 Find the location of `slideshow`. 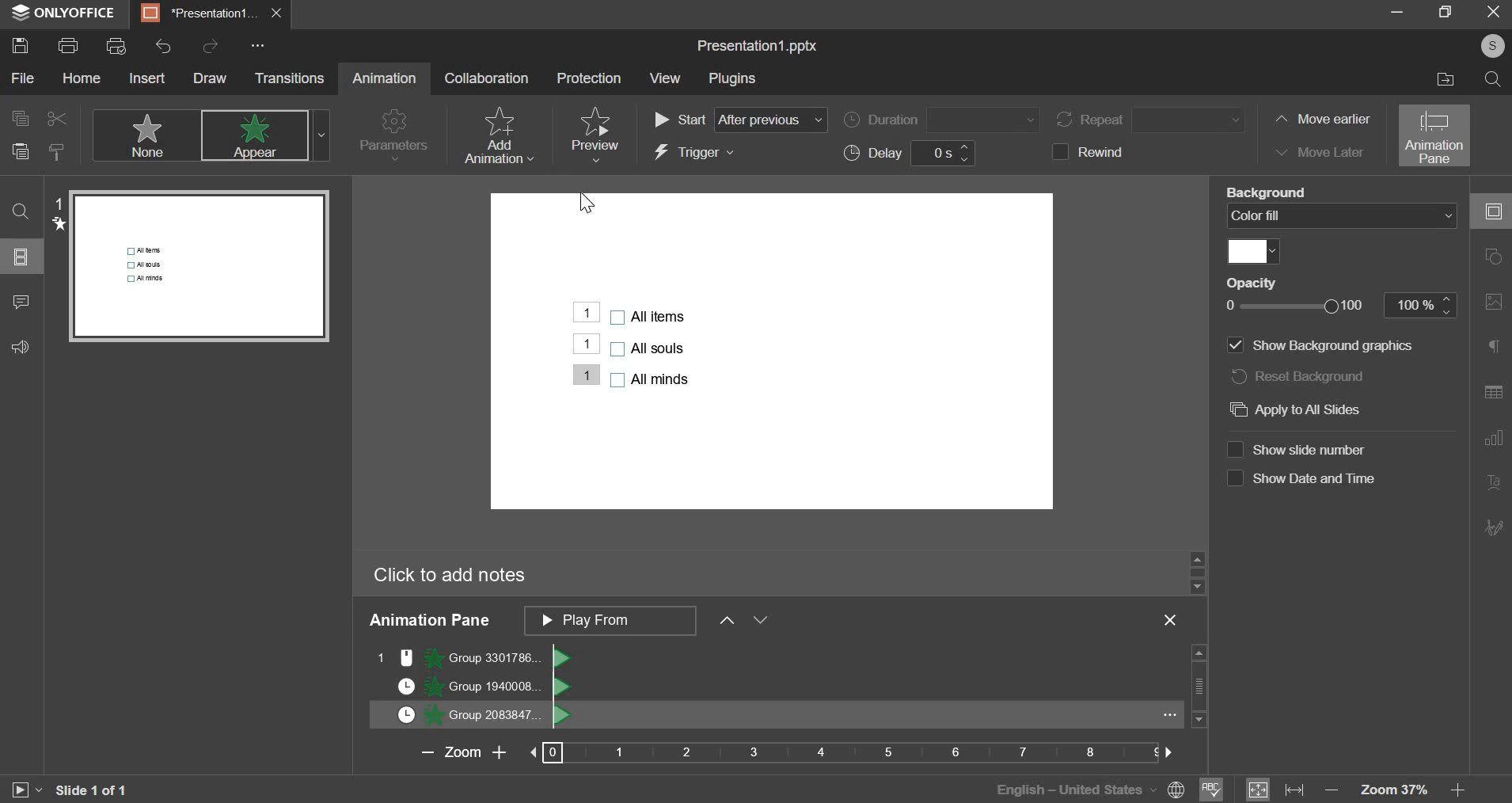

slideshow is located at coordinates (25, 788).